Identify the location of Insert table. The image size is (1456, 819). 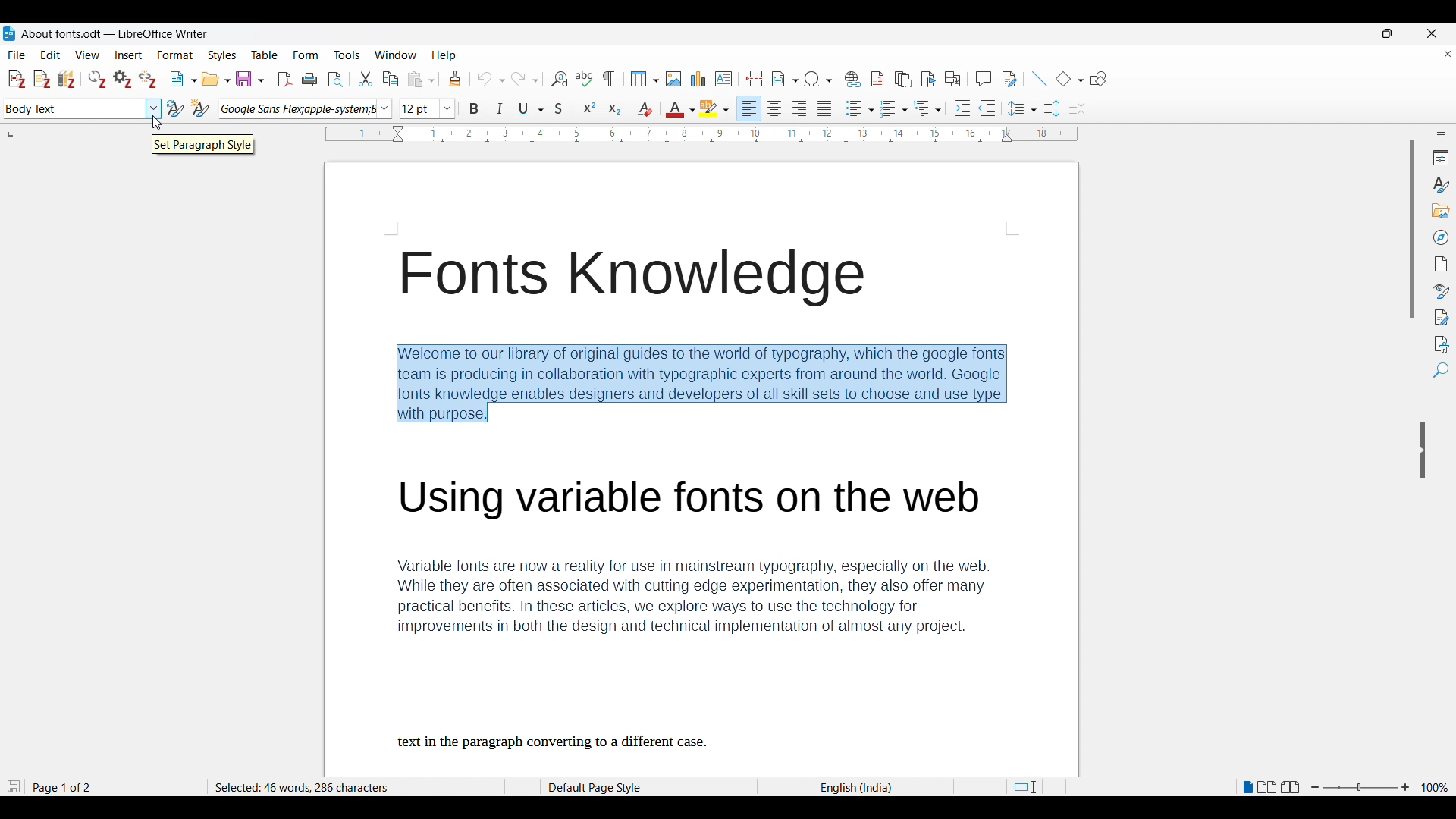
(645, 79).